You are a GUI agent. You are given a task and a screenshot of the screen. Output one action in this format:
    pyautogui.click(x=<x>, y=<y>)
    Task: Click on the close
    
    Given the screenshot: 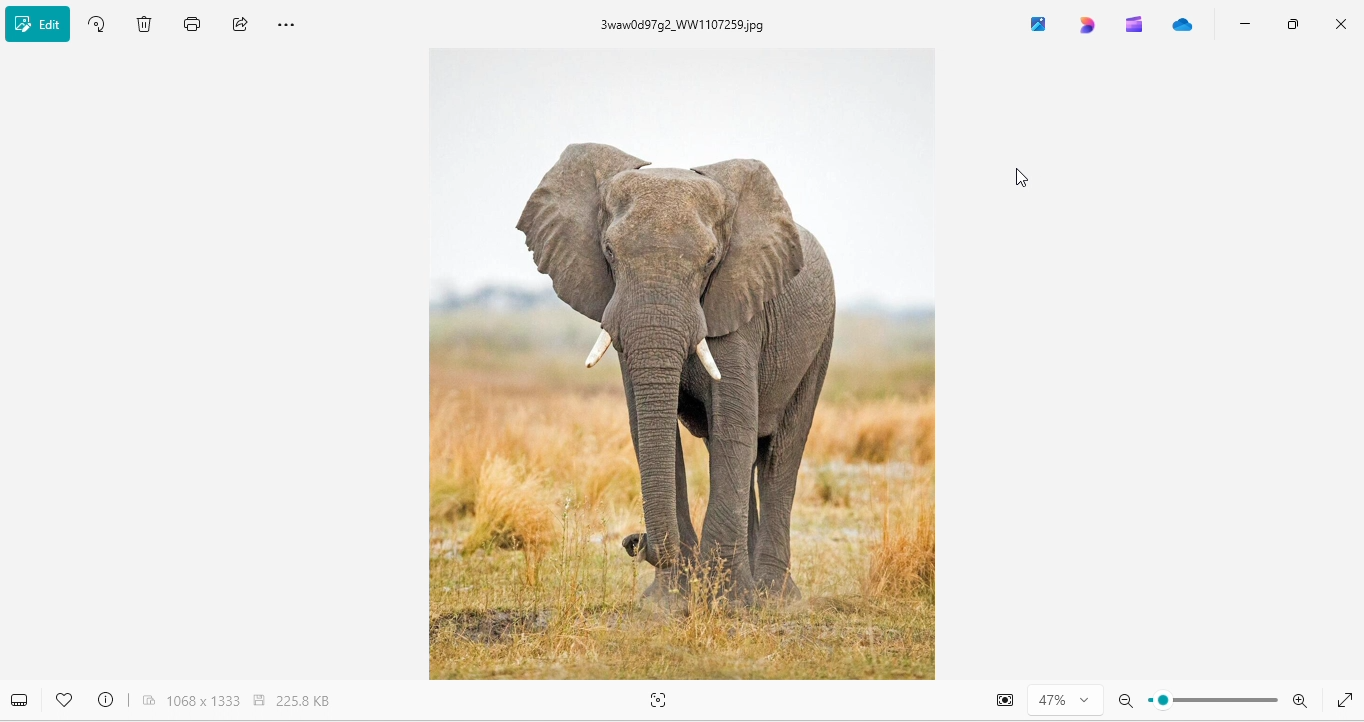 What is the action you would take?
    pyautogui.click(x=1341, y=20)
    